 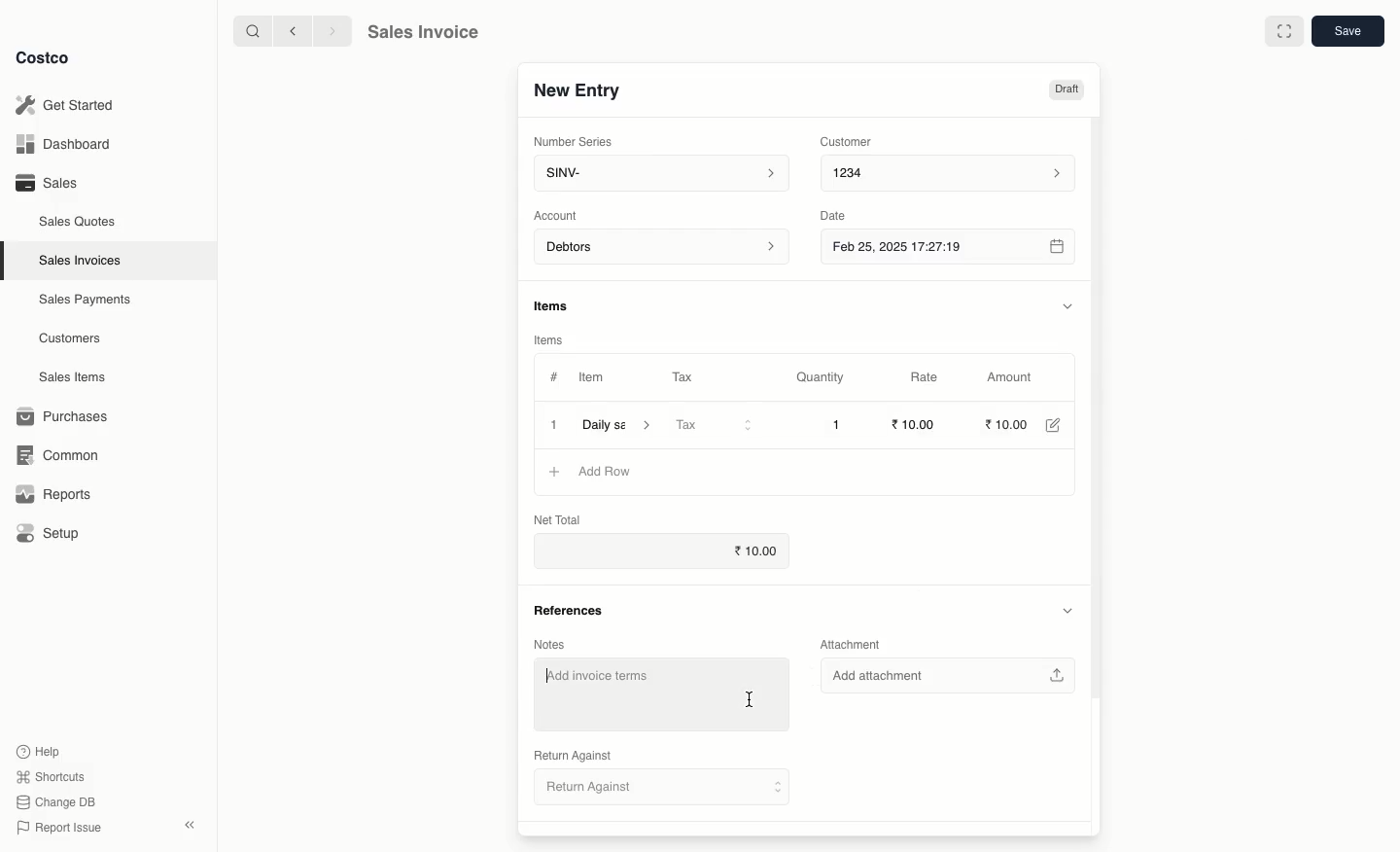 I want to click on Add invoice terms, so click(x=635, y=695).